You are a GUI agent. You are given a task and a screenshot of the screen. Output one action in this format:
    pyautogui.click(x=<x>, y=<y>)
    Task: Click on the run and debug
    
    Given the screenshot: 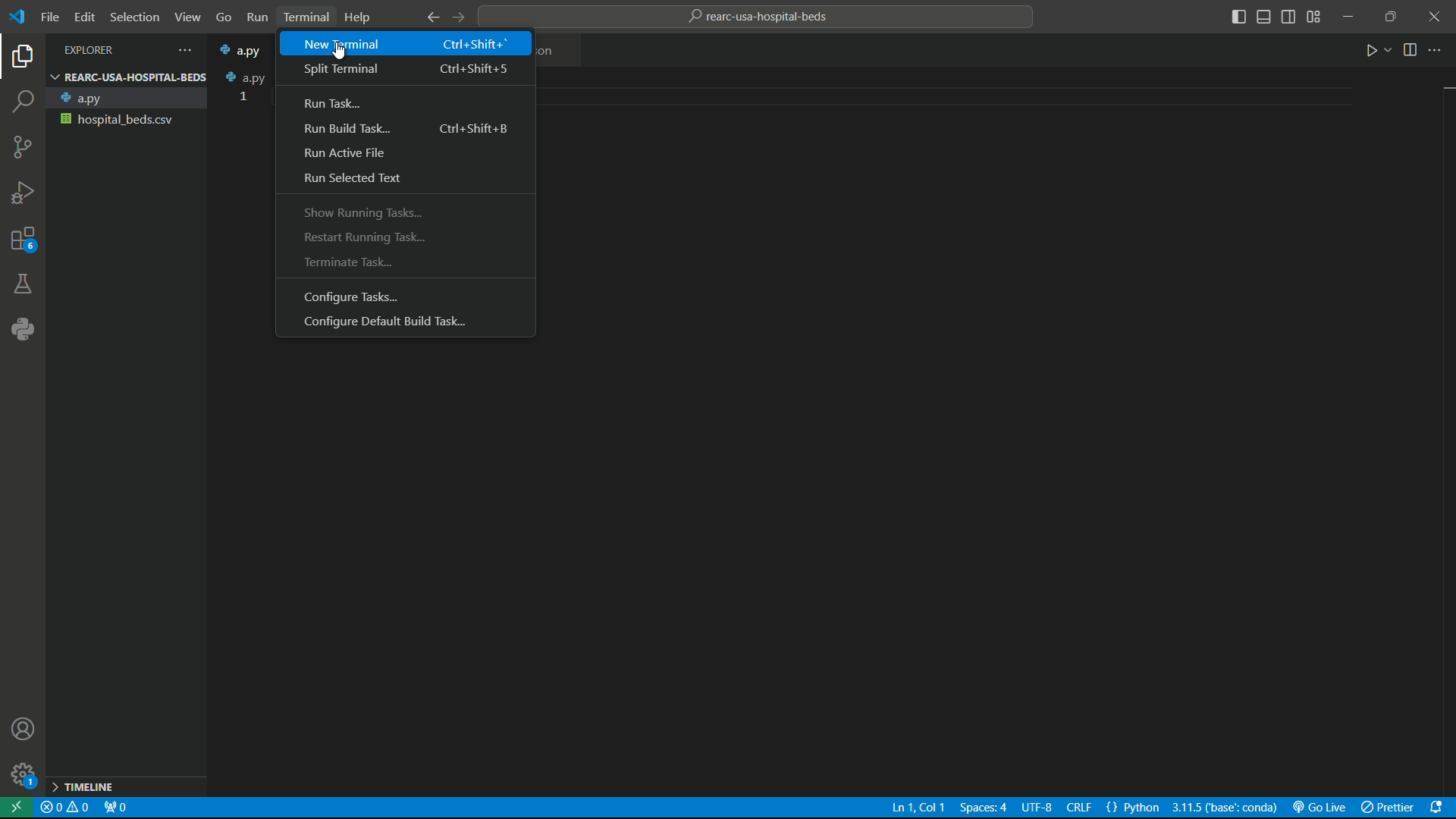 What is the action you would take?
    pyautogui.click(x=23, y=190)
    